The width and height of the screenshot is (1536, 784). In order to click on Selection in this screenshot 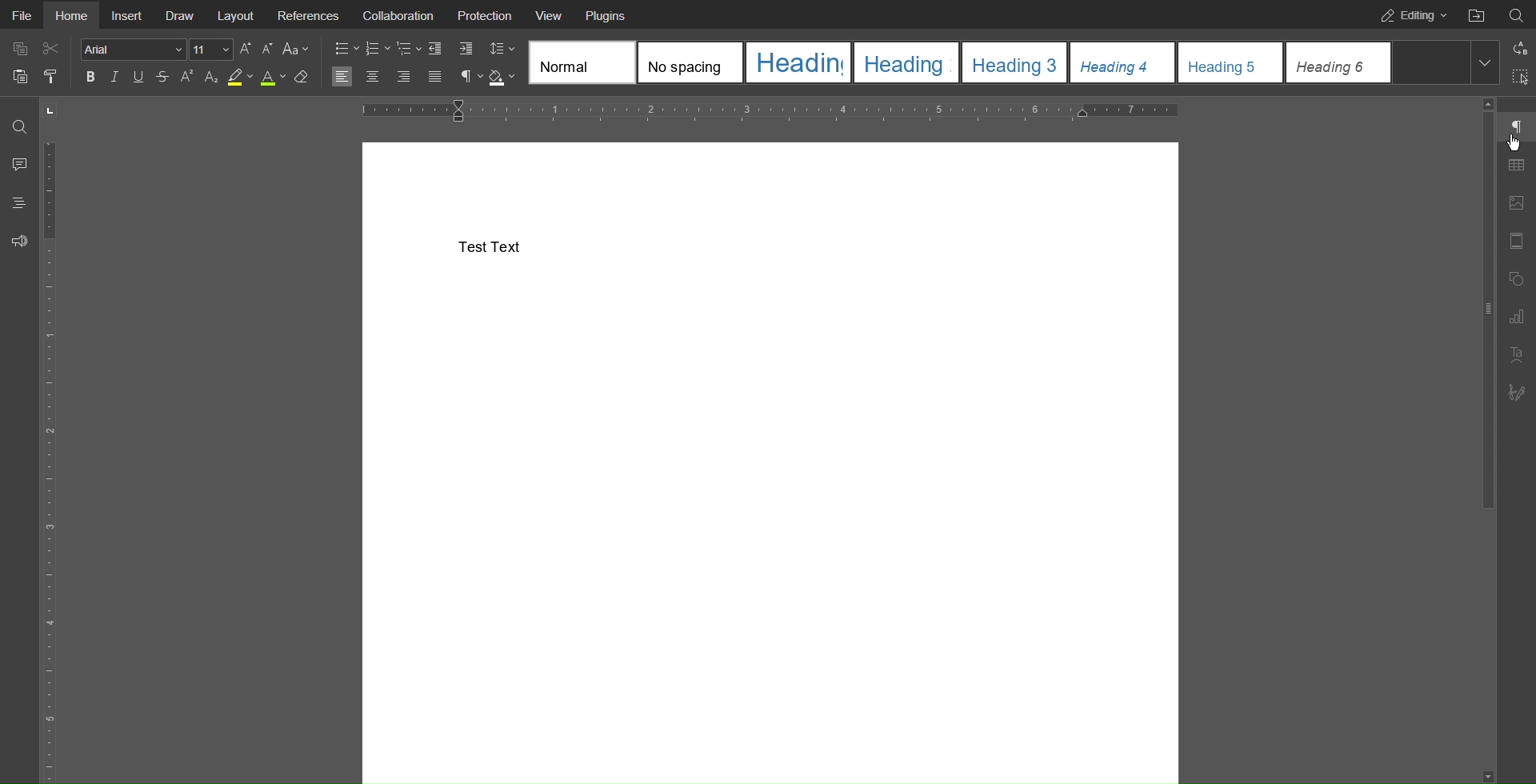, I will do `click(1517, 78)`.